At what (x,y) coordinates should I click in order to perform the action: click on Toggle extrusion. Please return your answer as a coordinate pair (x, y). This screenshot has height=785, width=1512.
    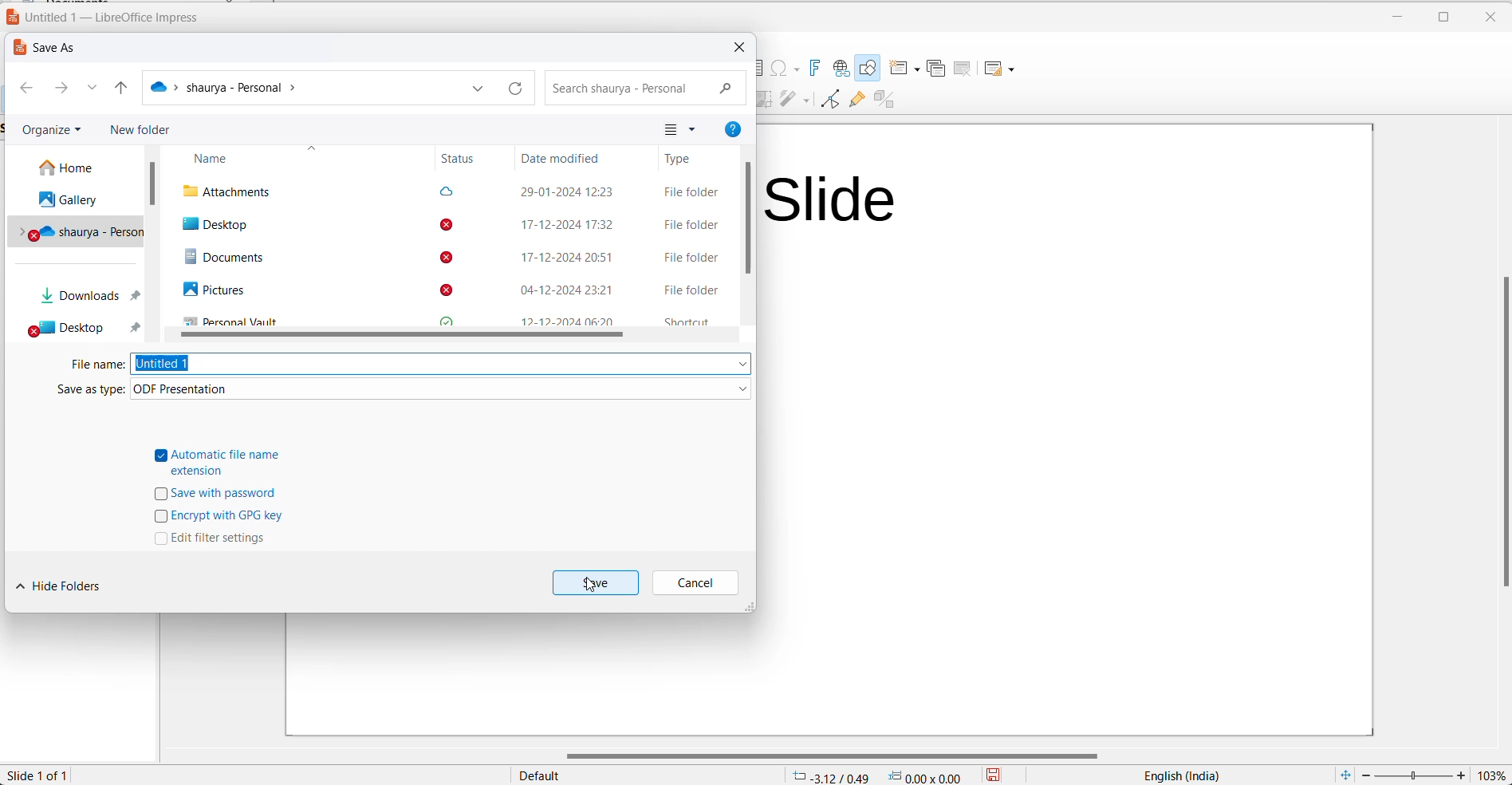
    Looking at the image, I should click on (888, 101).